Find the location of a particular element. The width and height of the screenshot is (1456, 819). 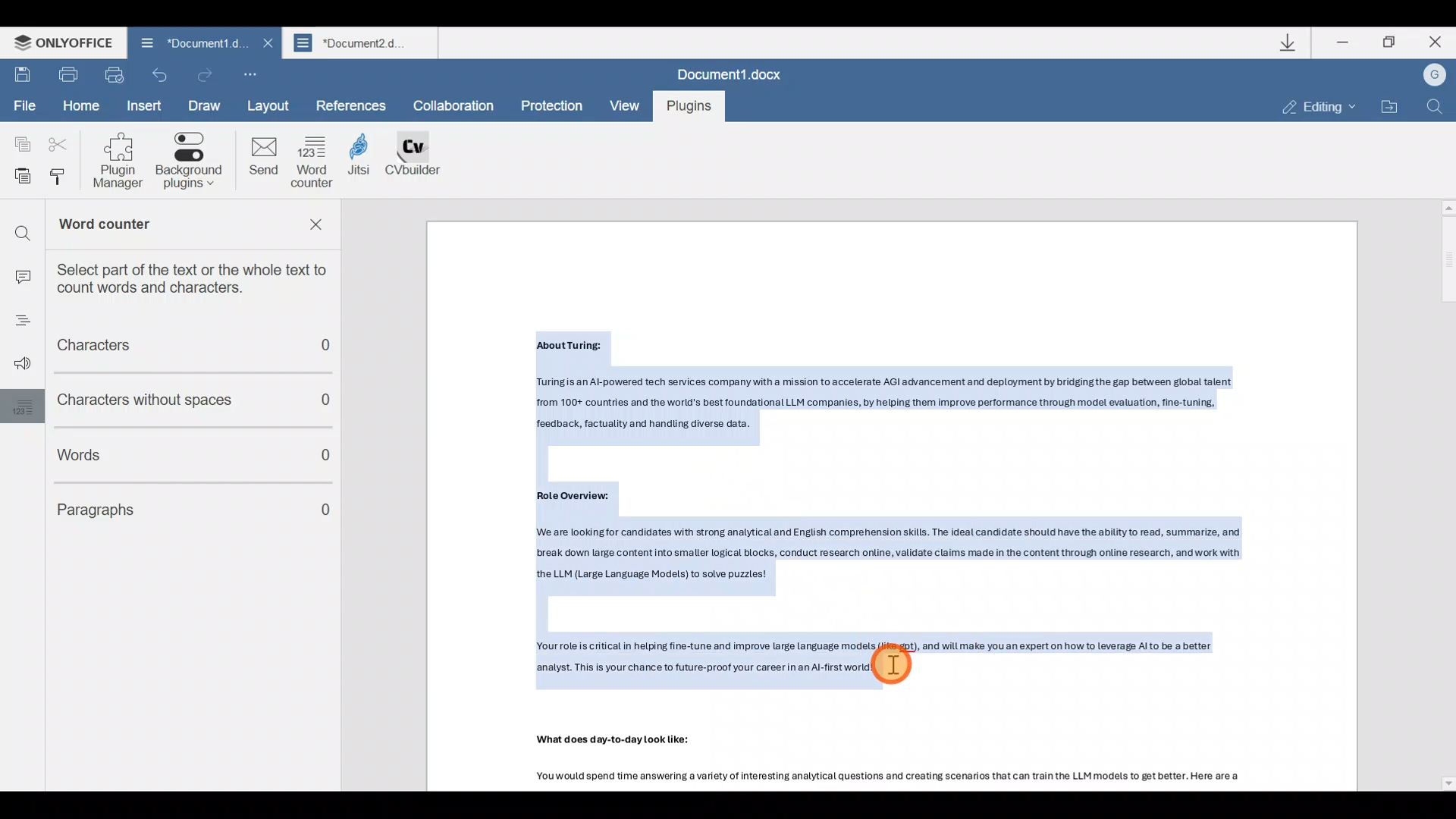

Quick print is located at coordinates (114, 74).